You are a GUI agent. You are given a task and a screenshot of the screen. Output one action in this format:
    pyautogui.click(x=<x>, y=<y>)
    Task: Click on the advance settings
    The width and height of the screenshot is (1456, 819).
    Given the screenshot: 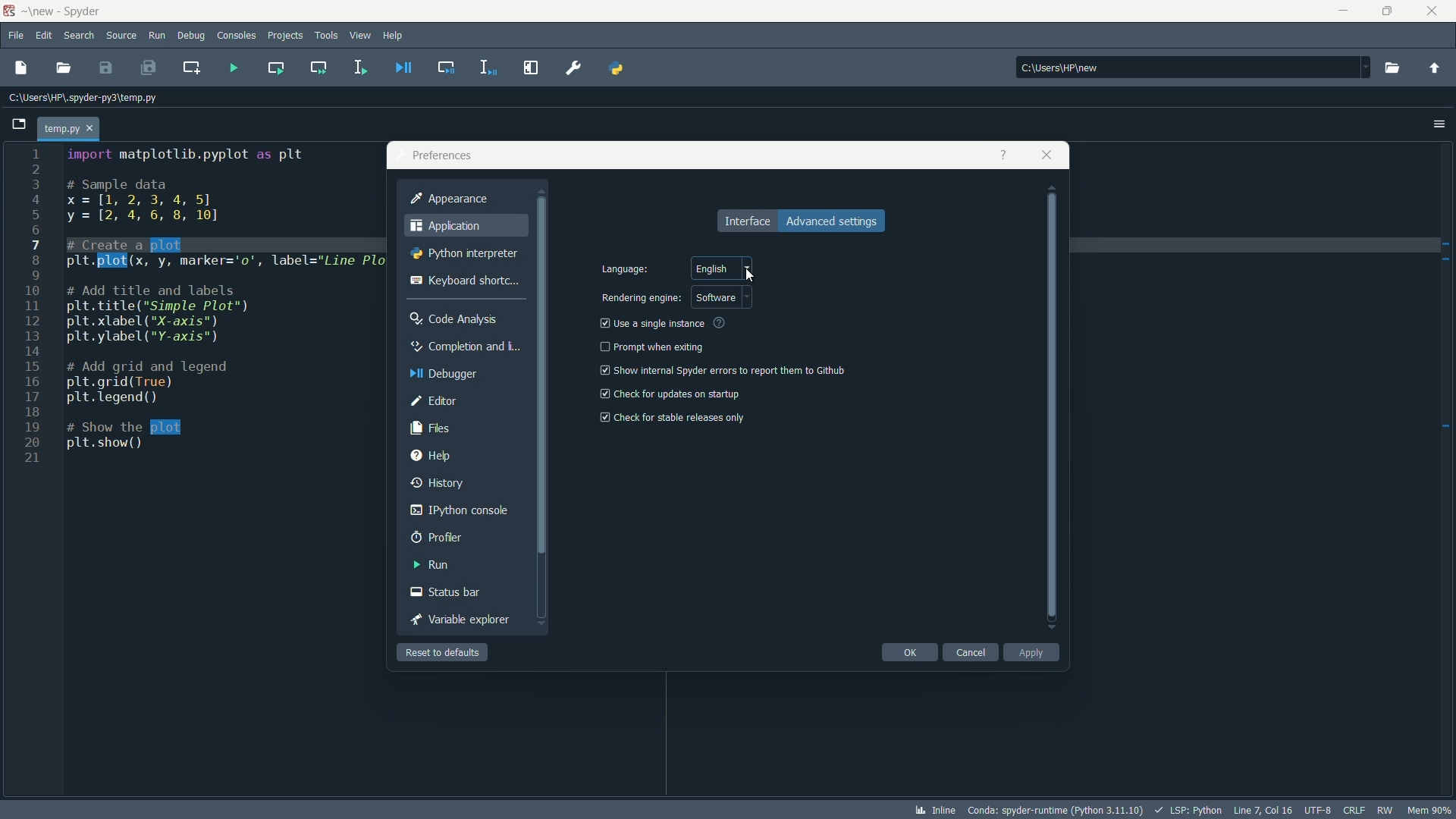 What is the action you would take?
    pyautogui.click(x=832, y=221)
    